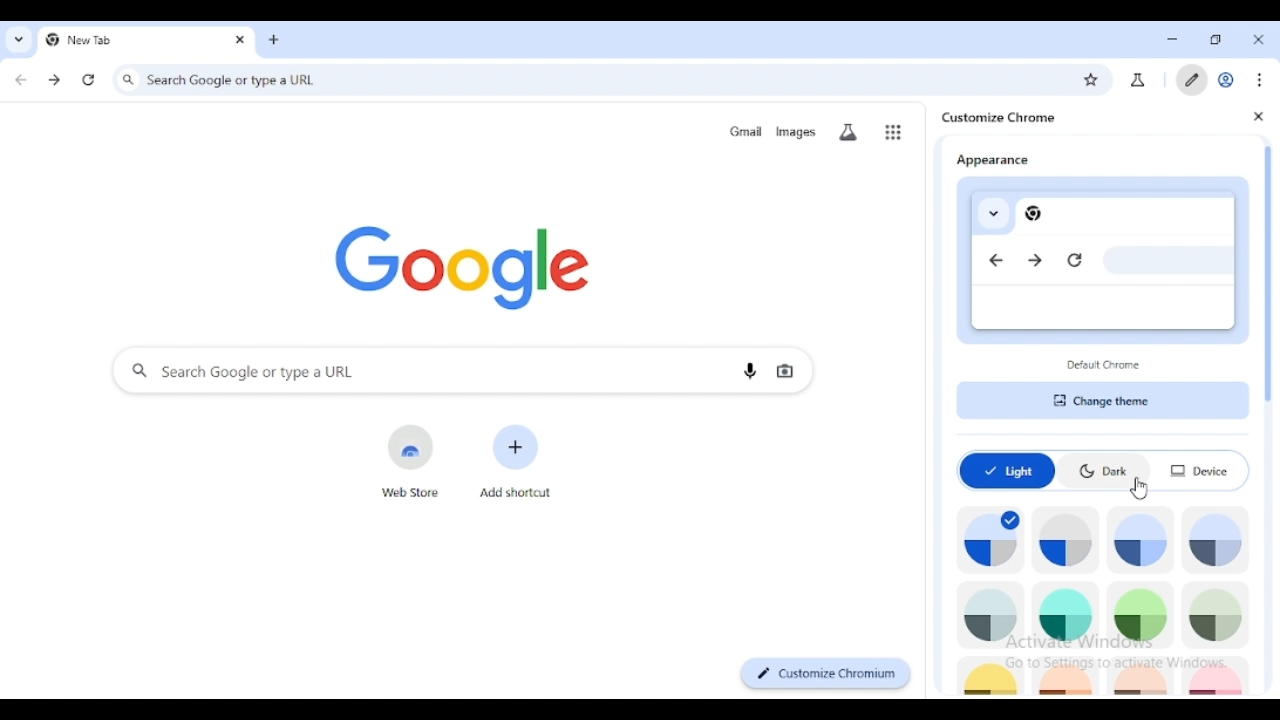 Image resolution: width=1280 pixels, height=720 pixels. Describe the element at coordinates (1139, 80) in the screenshot. I see `chrome labs` at that location.